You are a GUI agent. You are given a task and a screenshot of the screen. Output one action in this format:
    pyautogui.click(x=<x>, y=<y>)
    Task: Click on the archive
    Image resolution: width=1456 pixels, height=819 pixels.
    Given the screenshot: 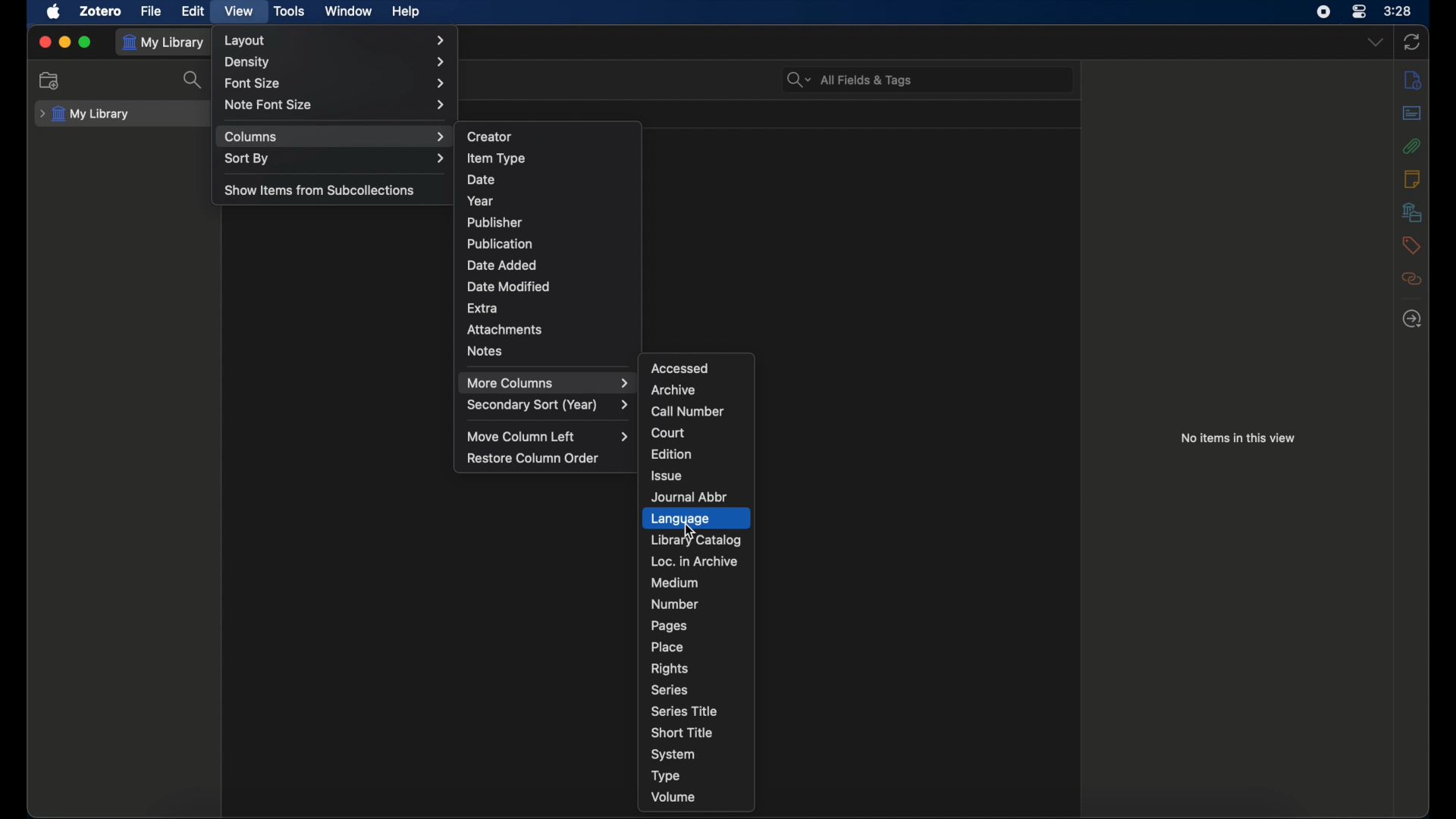 What is the action you would take?
    pyautogui.click(x=673, y=391)
    